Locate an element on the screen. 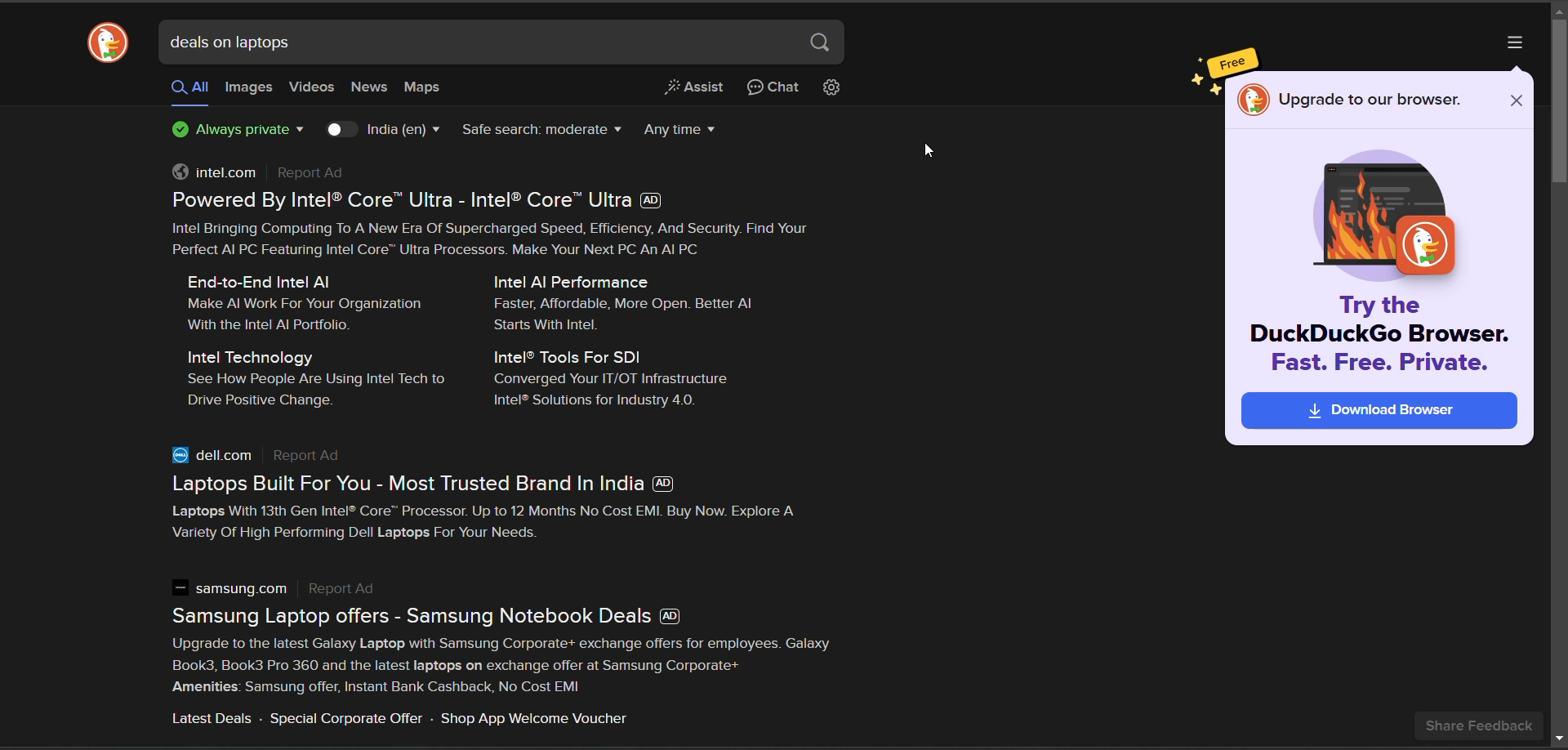  country toggle key is located at coordinates (343, 130).